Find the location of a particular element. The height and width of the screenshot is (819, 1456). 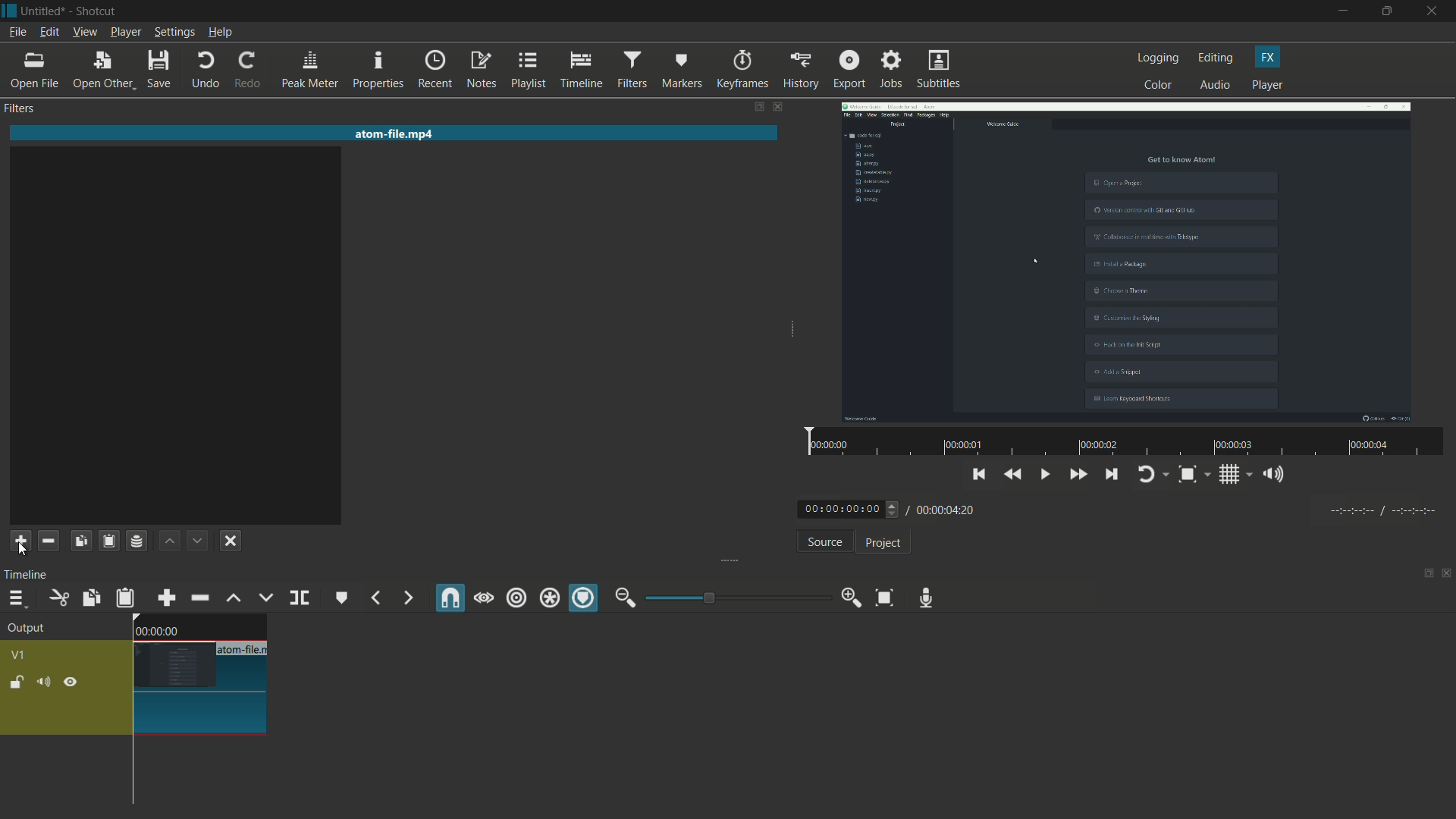

edit menu is located at coordinates (47, 33).